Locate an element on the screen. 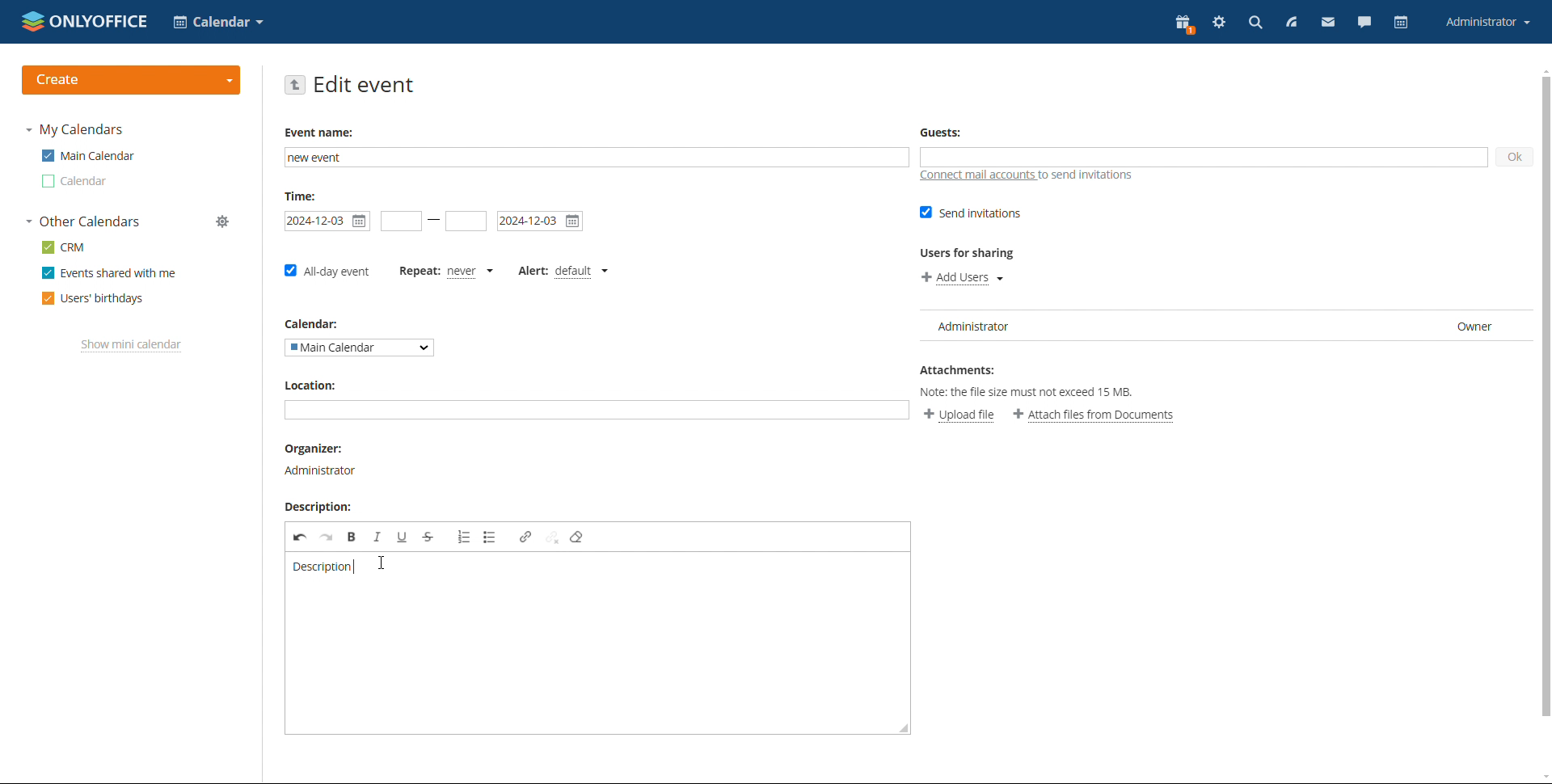  remove format is located at coordinates (576, 537).